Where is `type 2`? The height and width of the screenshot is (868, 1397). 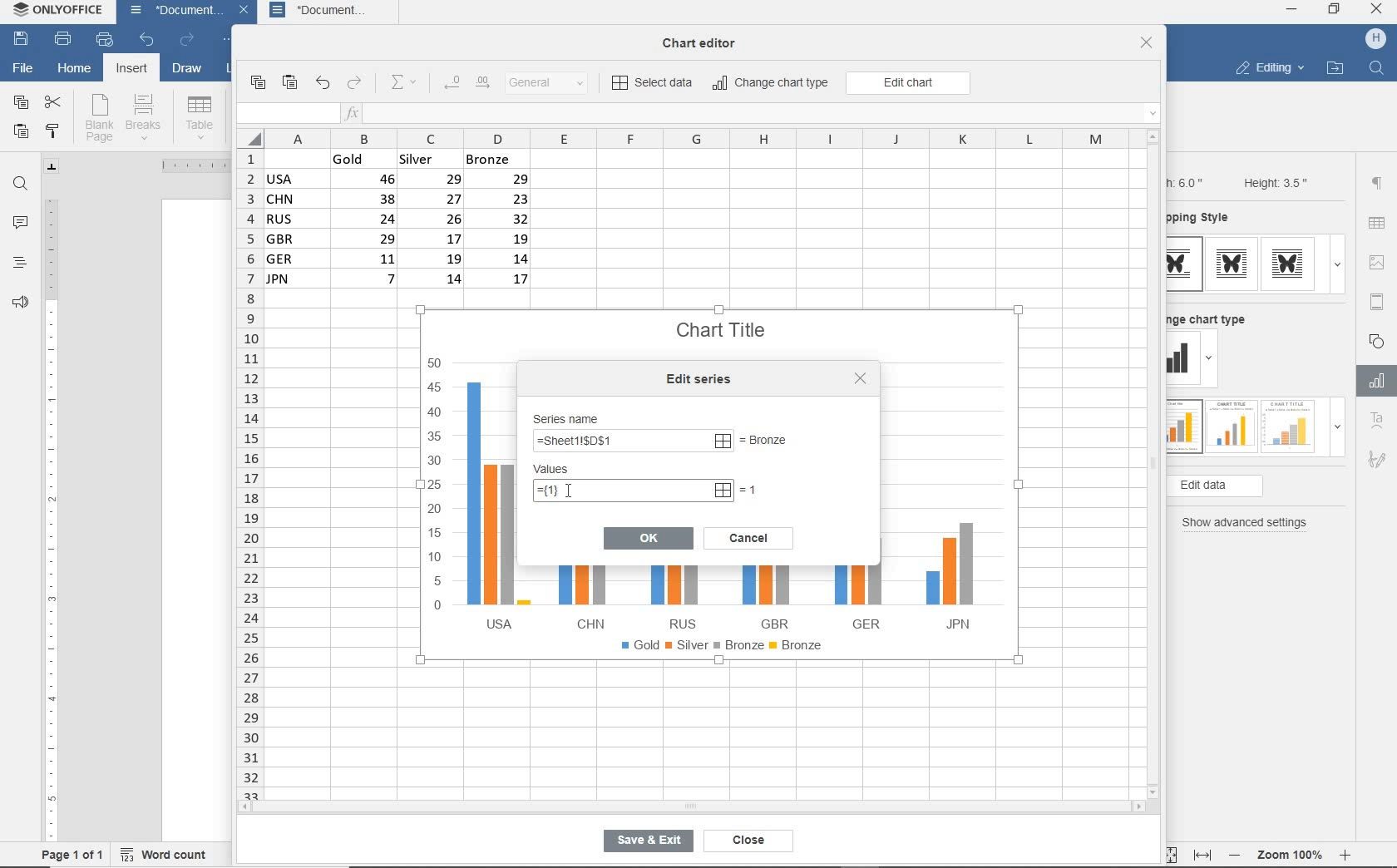
type 2 is located at coordinates (1232, 264).